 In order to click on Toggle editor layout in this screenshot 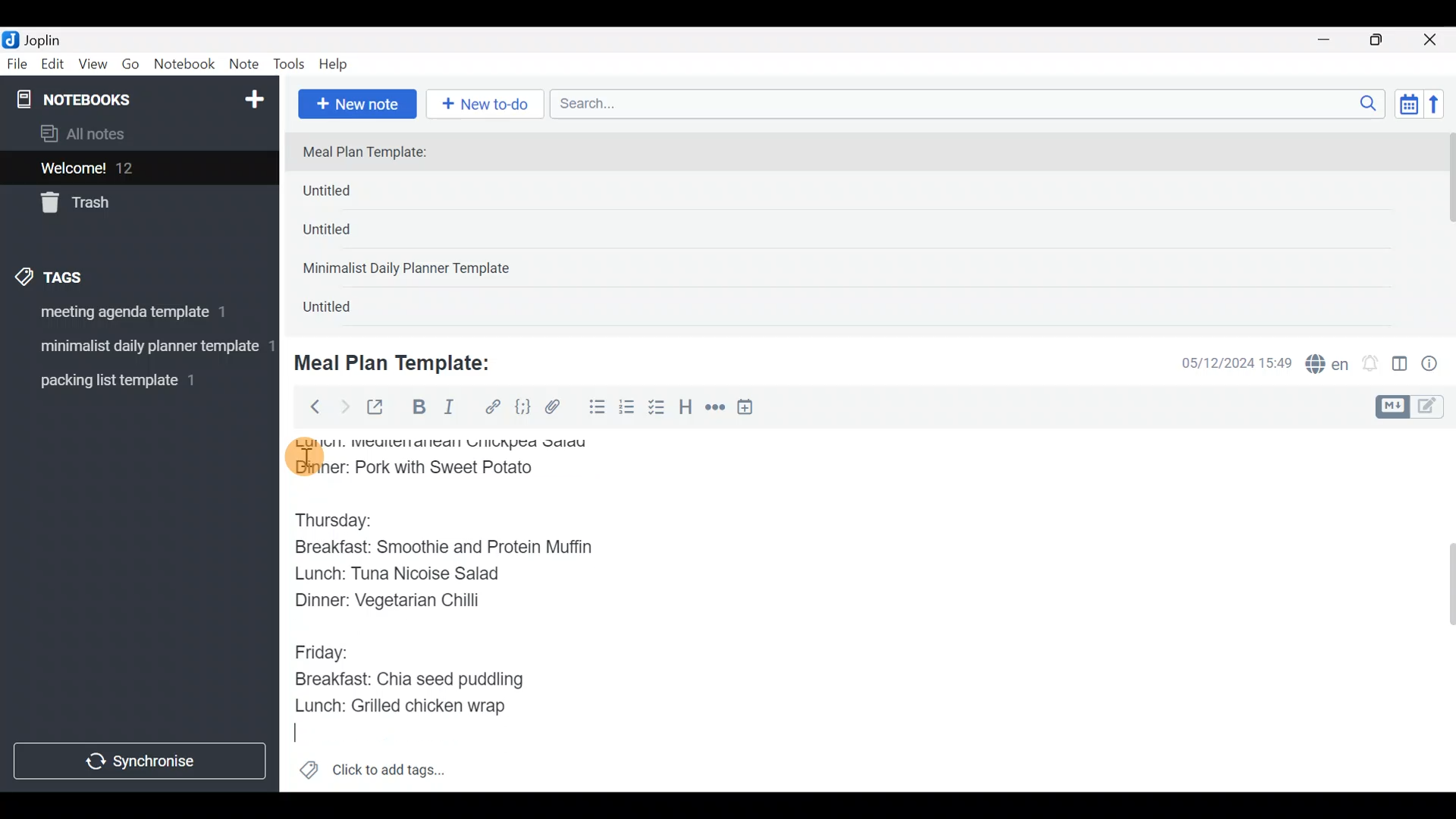, I will do `click(1401, 366)`.